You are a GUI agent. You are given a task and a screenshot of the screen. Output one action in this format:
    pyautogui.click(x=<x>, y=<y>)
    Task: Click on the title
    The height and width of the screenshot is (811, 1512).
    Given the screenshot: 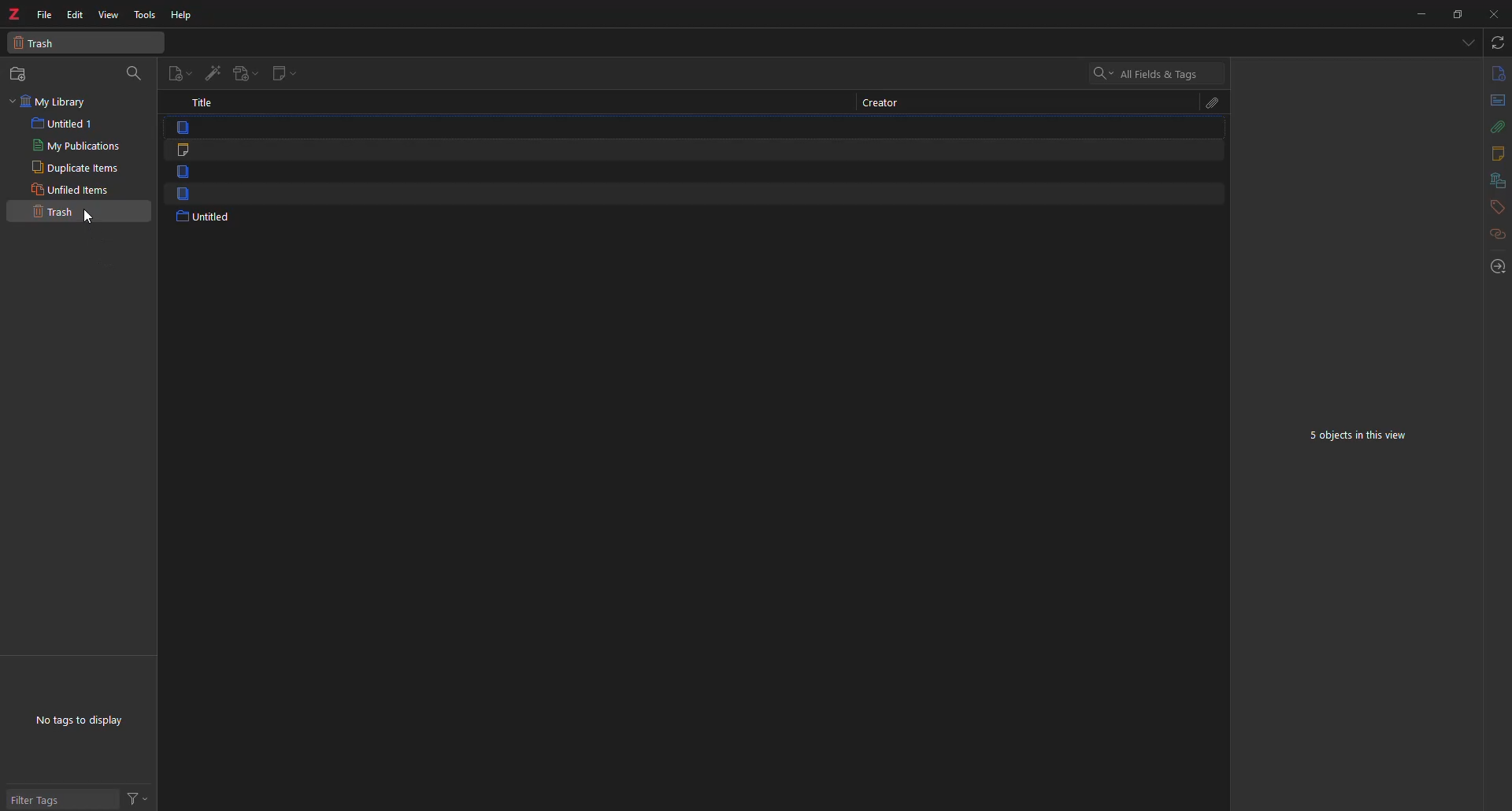 What is the action you would take?
    pyautogui.click(x=220, y=102)
    